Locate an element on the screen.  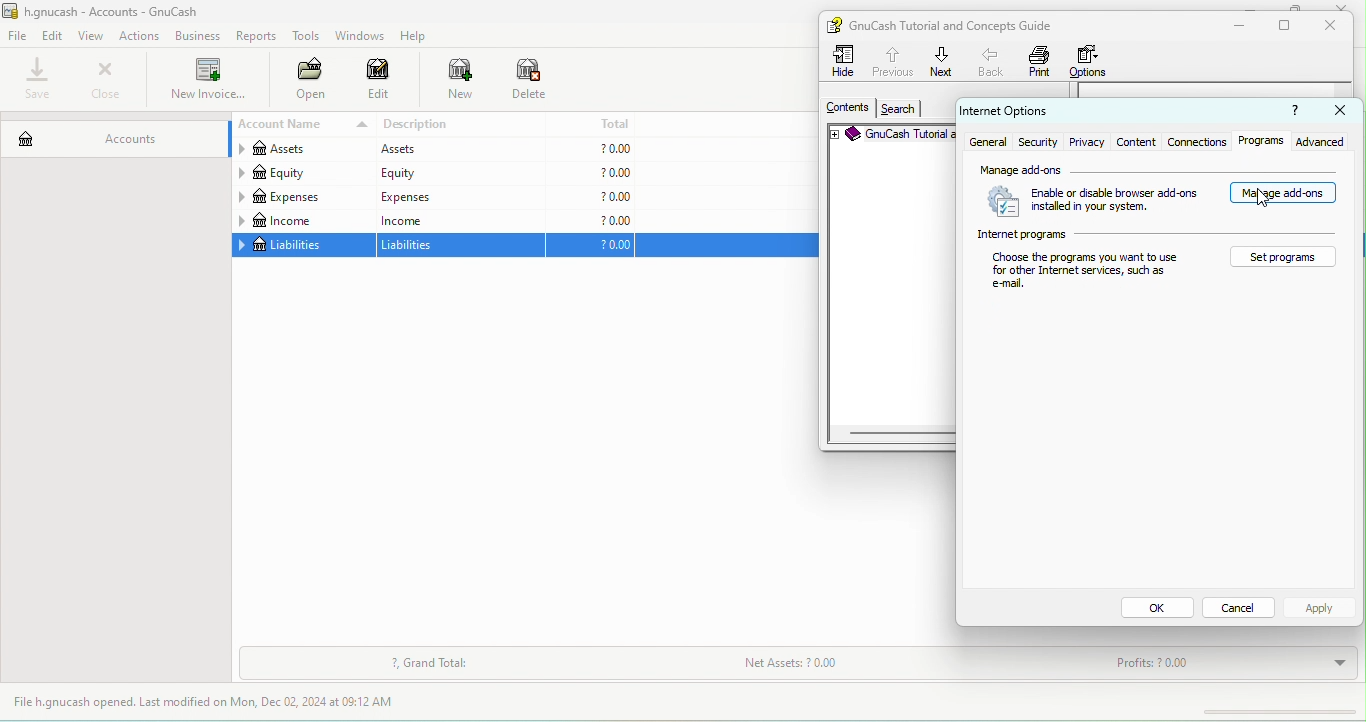
liabilities is located at coordinates (302, 246).